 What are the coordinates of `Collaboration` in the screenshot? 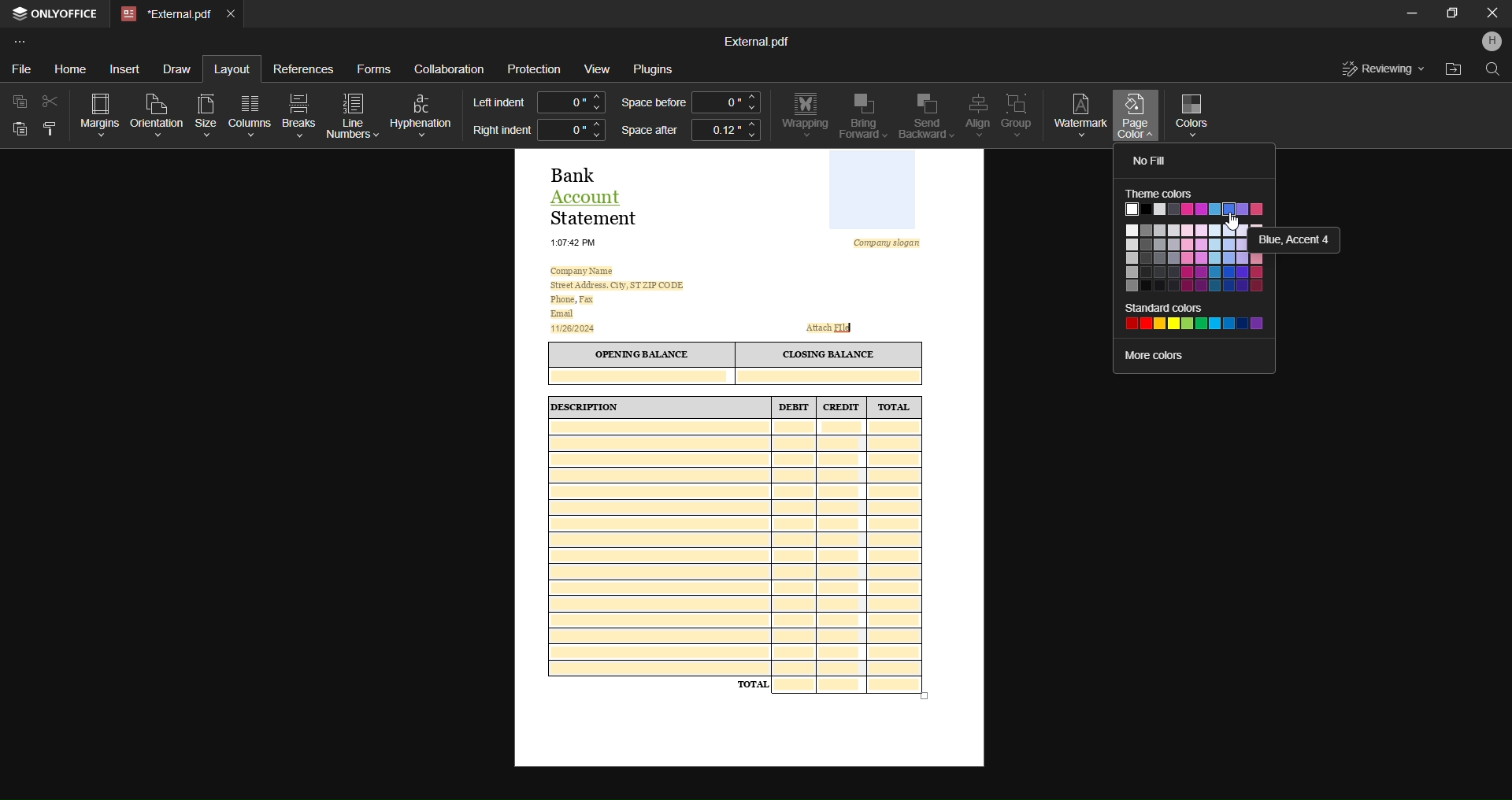 It's located at (450, 66).